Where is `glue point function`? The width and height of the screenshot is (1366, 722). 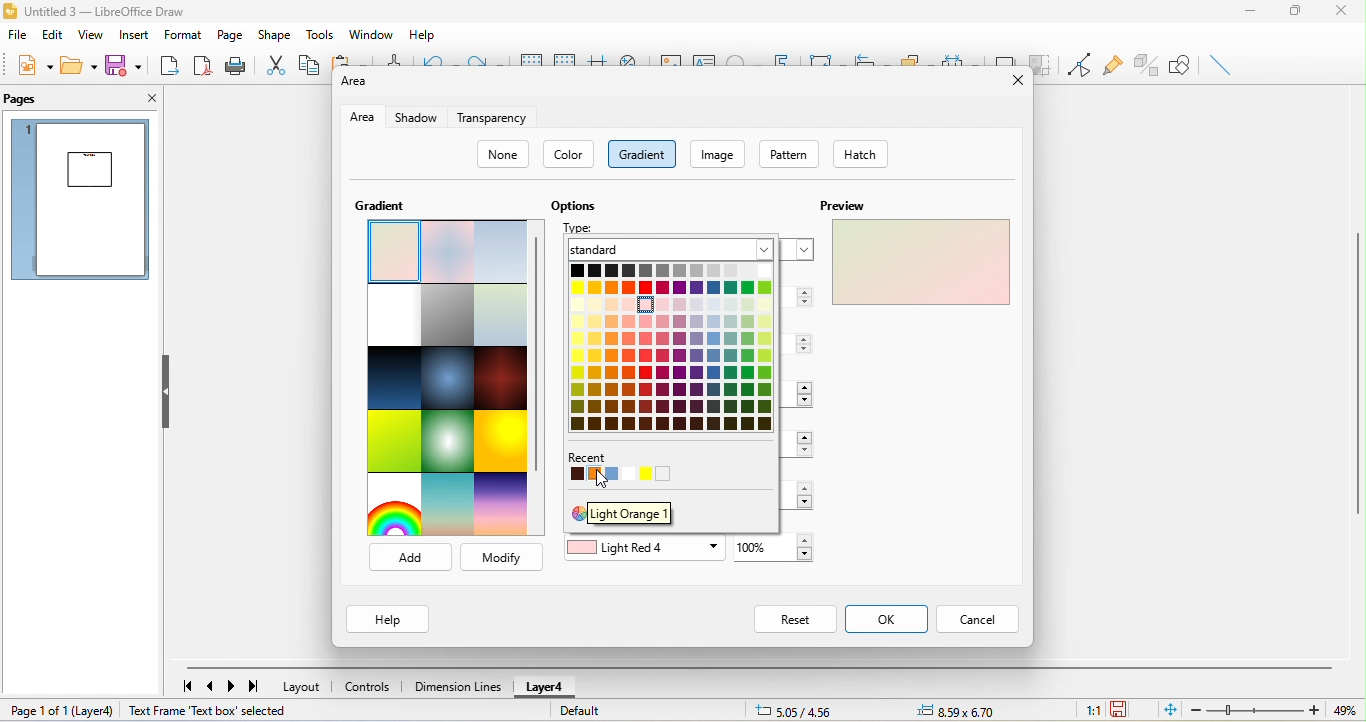
glue point function is located at coordinates (1112, 63).